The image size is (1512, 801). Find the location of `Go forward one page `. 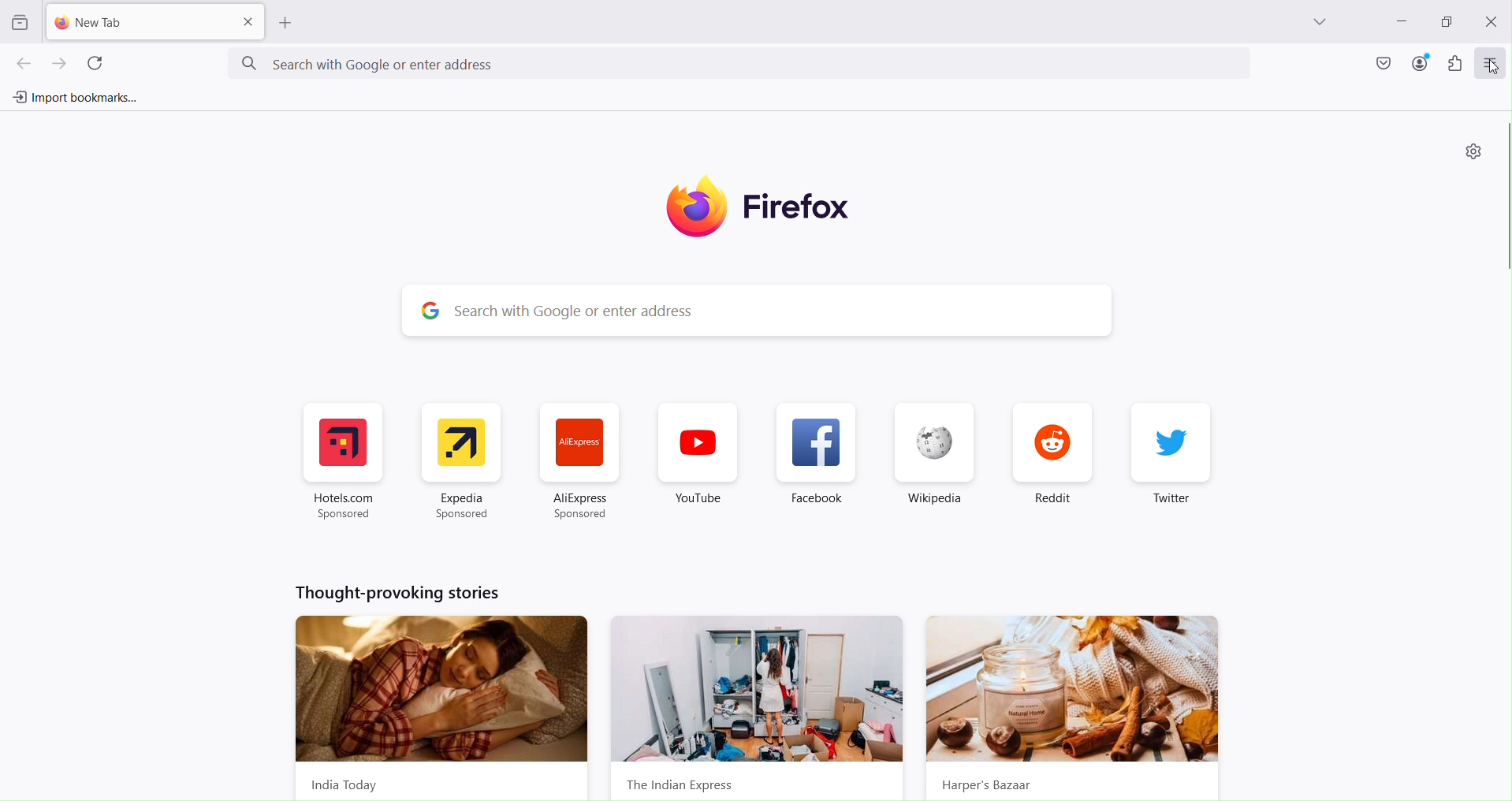

Go forward one page  is located at coordinates (63, 61).